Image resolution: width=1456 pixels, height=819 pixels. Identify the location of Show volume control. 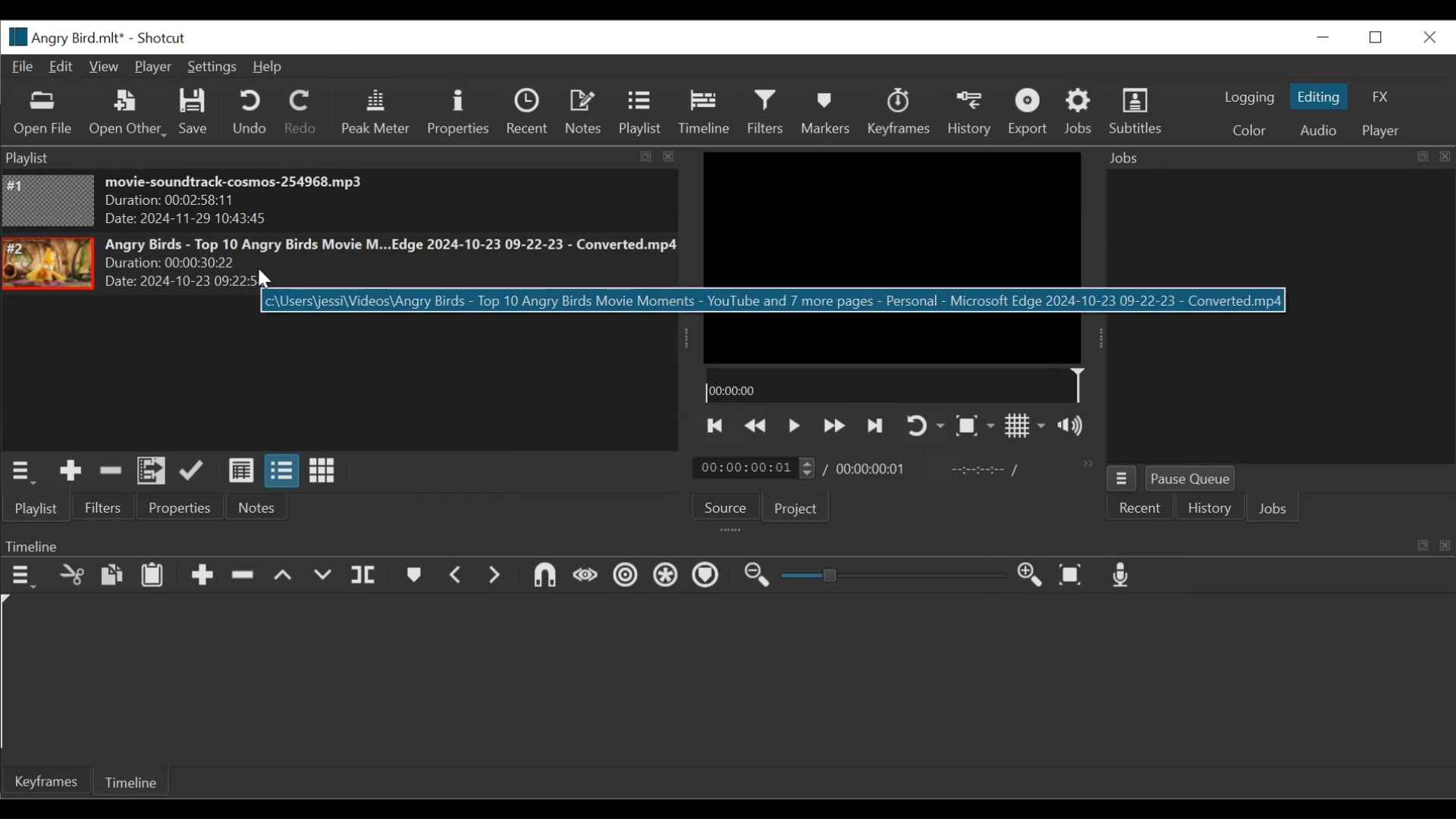
(1075, 428).